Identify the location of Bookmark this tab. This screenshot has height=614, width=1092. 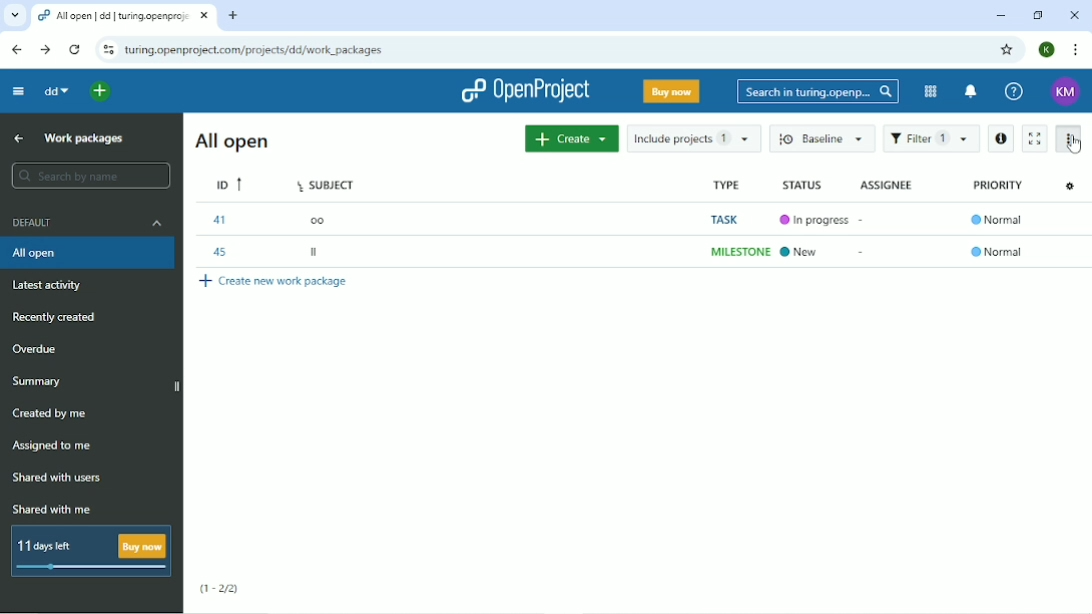
(1008, 50).